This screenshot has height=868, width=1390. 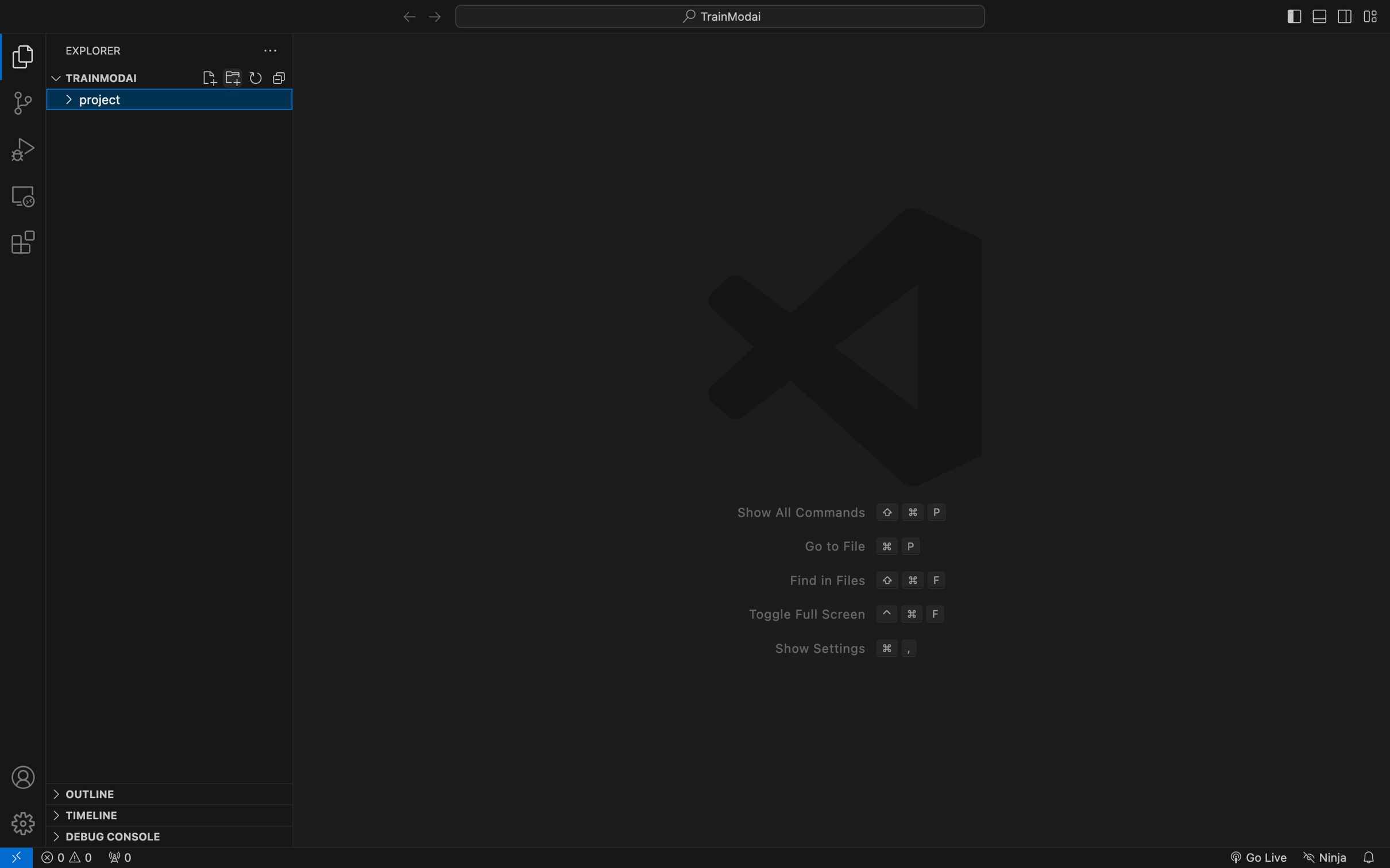 I want to click on outline, so click(x=100, y=794).